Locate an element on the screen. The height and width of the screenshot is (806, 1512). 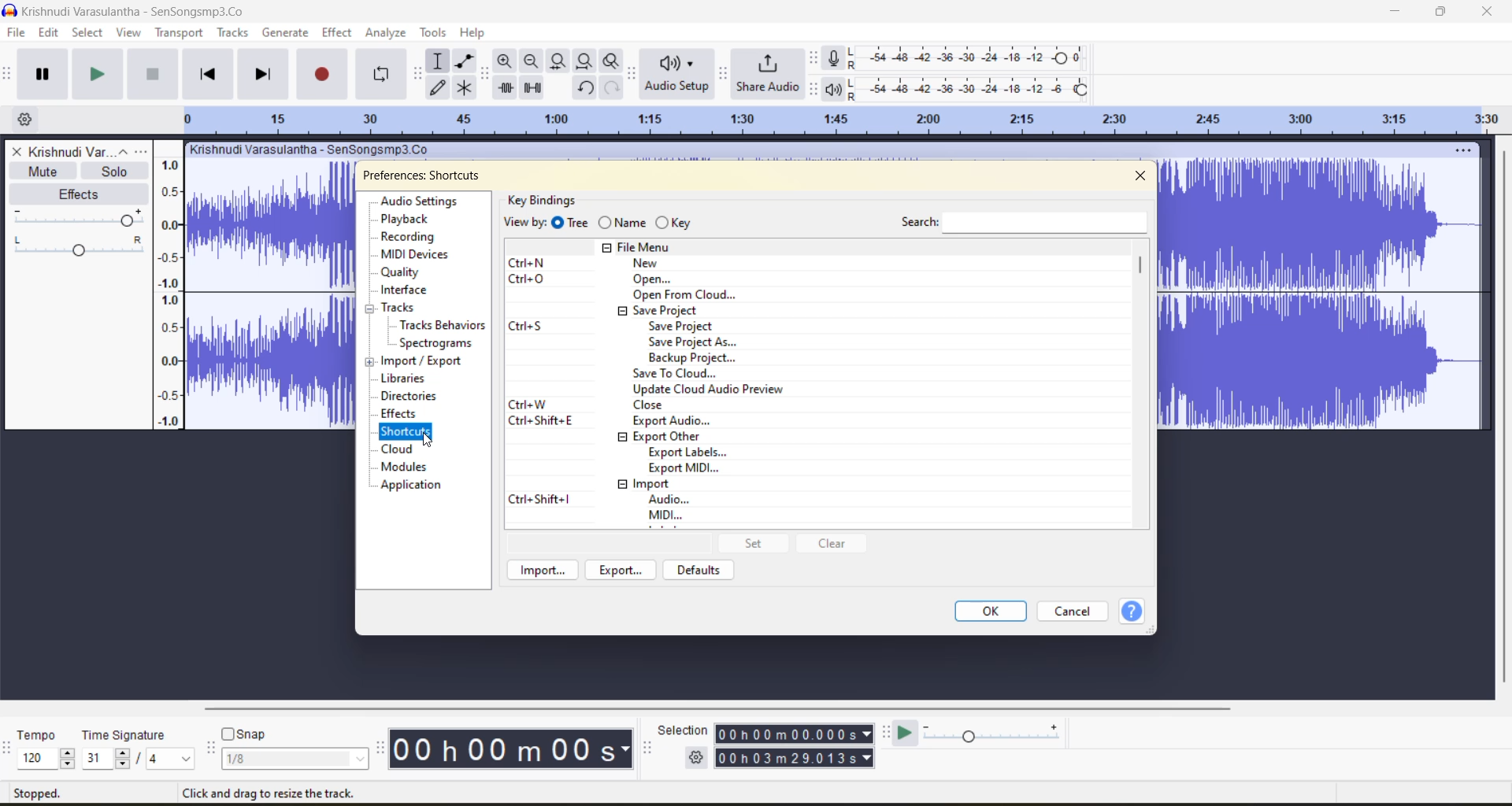
silence audio selection is located at coordinates (535, 88).